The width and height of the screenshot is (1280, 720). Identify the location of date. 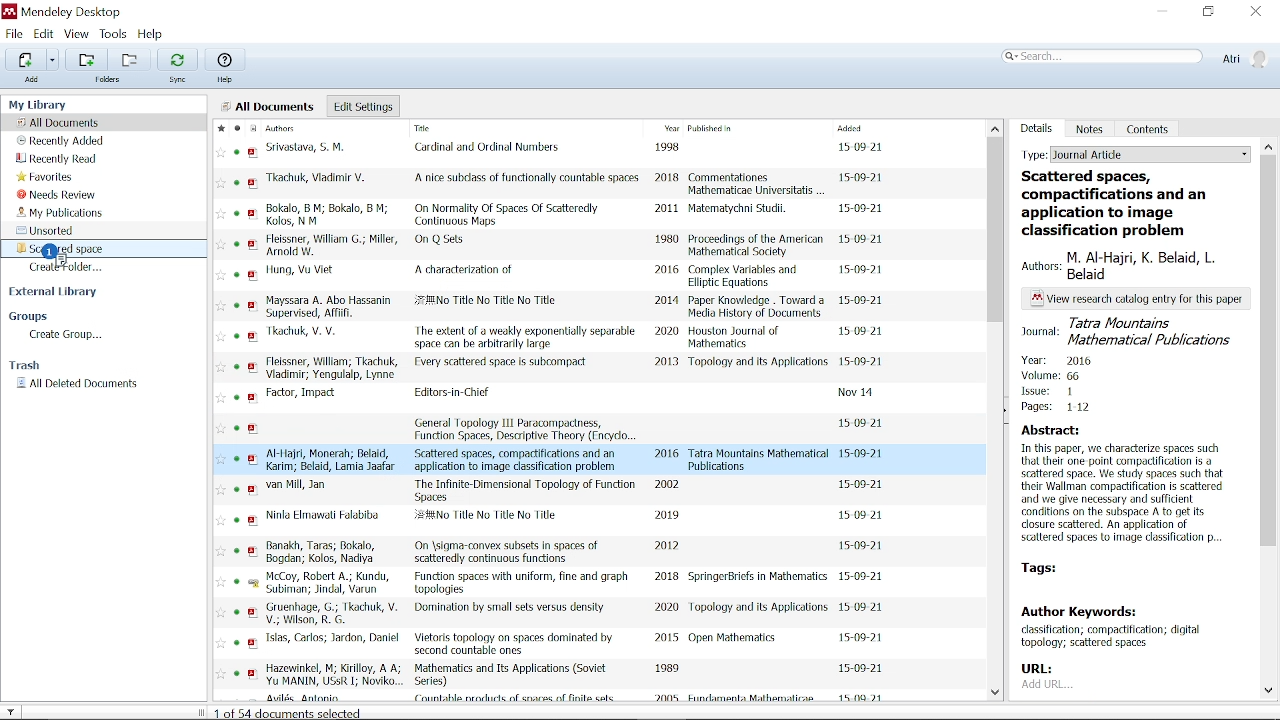
(862, 485).